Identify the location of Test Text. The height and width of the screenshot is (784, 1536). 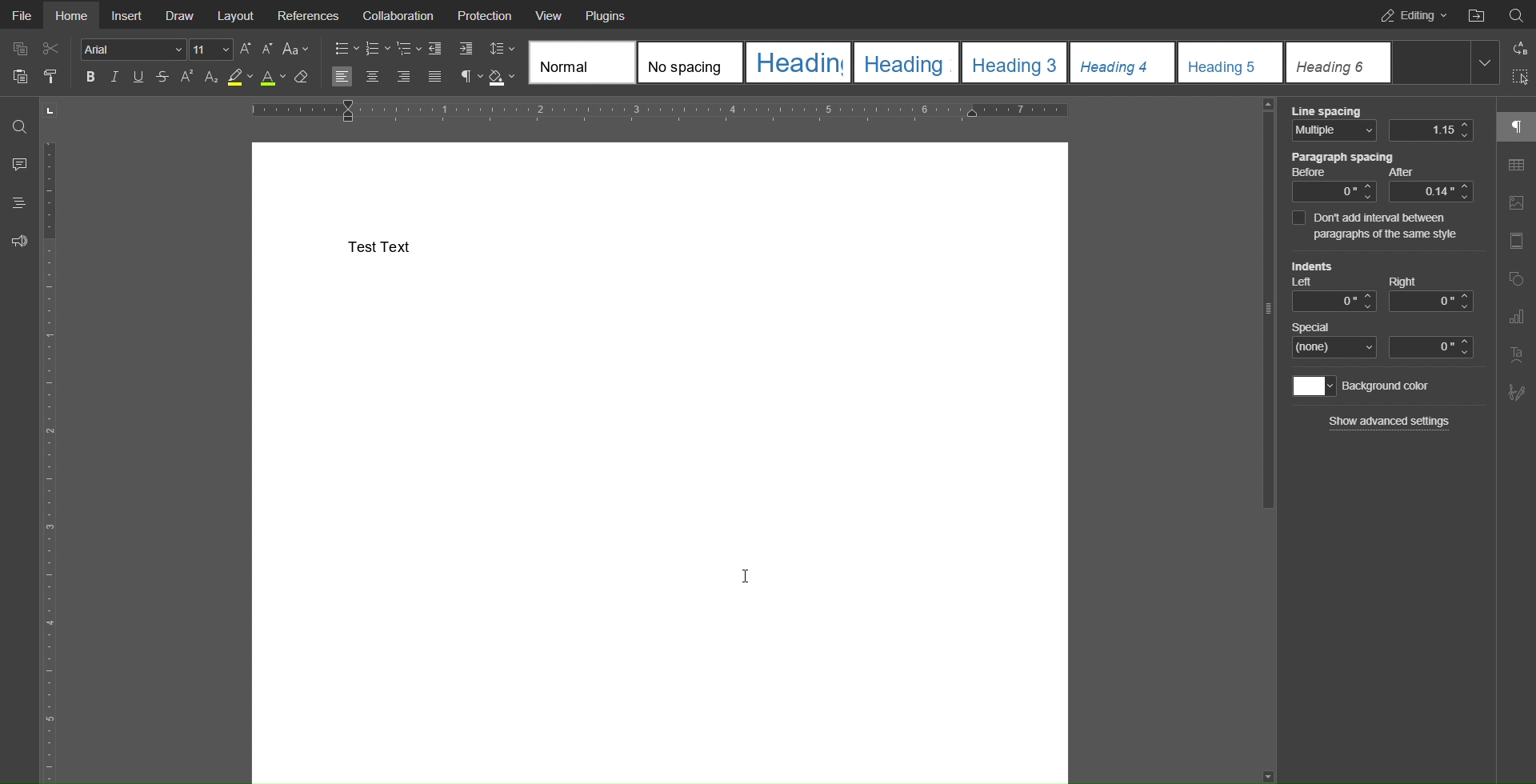
(374, 246).